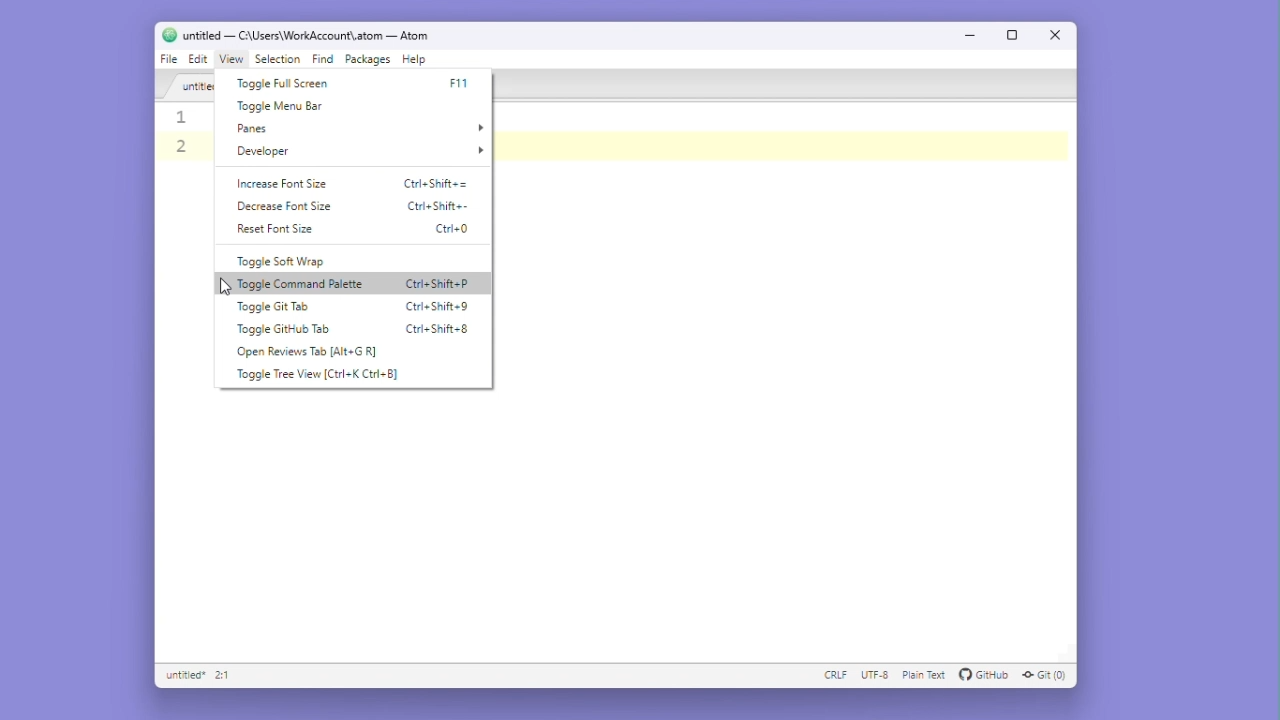 Image resolution: width=1280 pixels, height=720 pixels. What do you see at coordinates (46, 325) in the screenshot?
I see `Desktop` at bounding box center [46, 325].